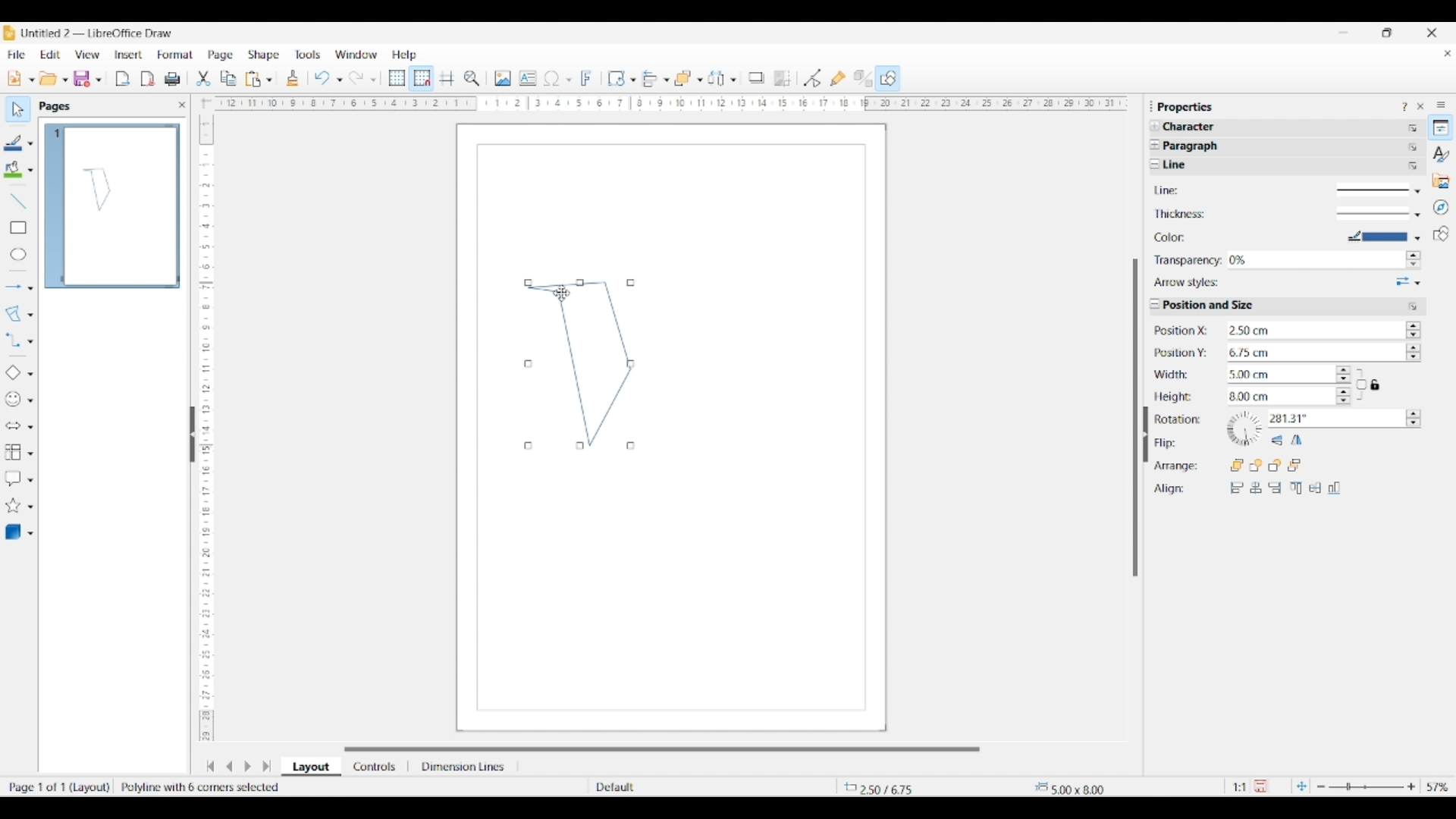 Image resolution: width=1456 pixels, height=819 pixels. What do you see at coordinates (1156, 126) in the screenshot?
I see `Expand Character` at bounding box center [1156, 126].